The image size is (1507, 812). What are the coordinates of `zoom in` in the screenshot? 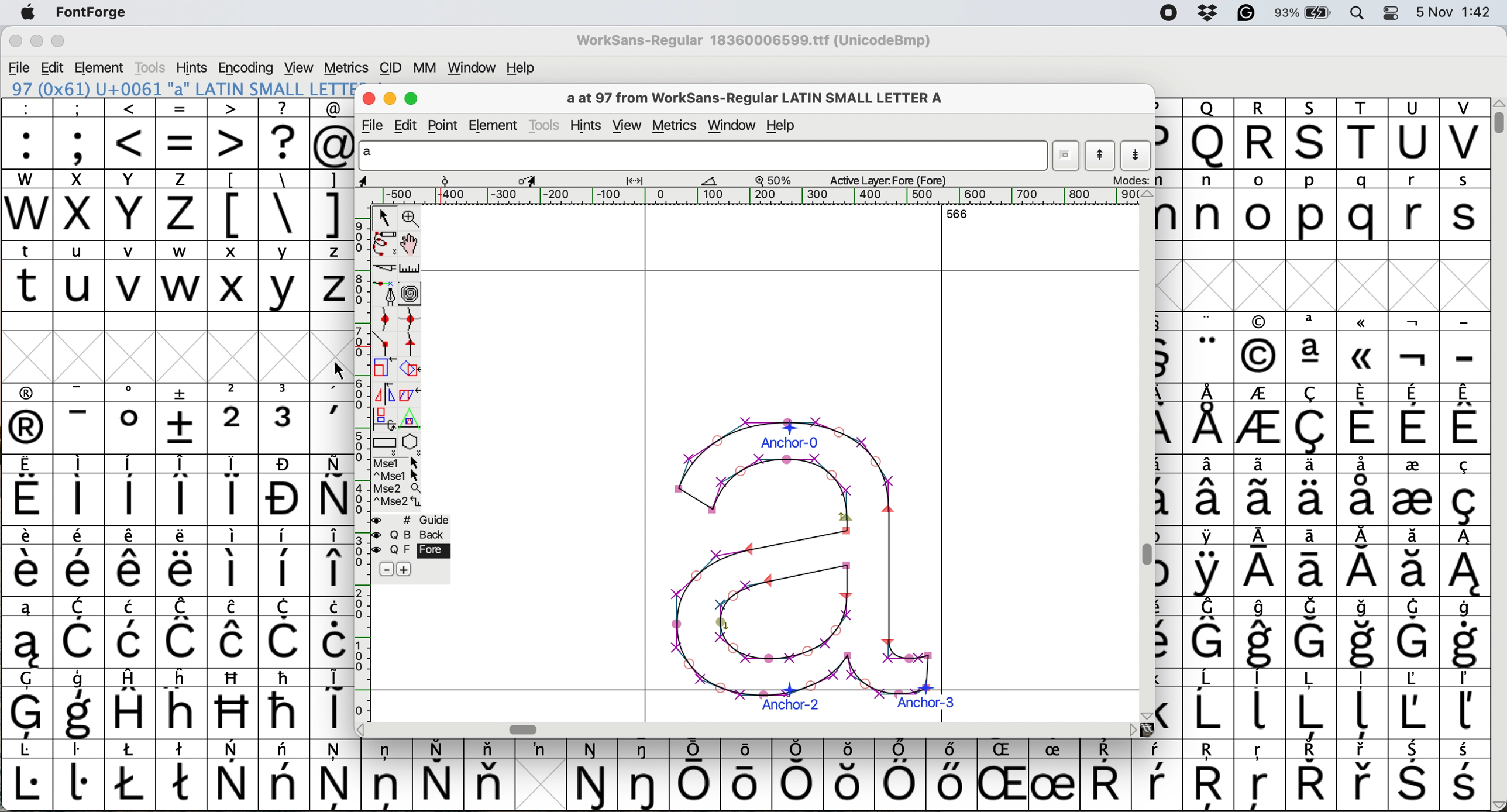 It's located at (411, 219).